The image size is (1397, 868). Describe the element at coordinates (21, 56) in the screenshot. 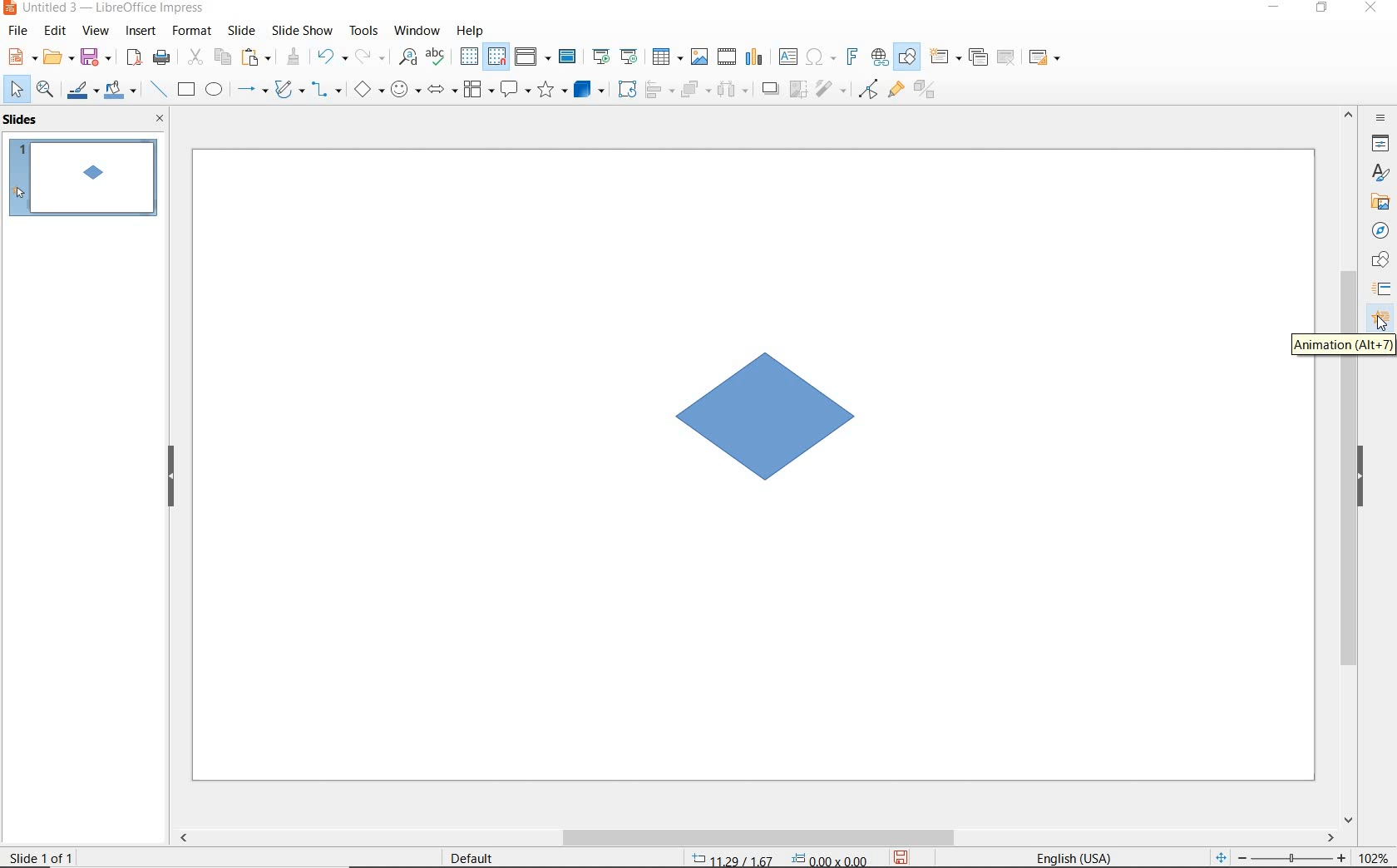

I see `new` at that location.